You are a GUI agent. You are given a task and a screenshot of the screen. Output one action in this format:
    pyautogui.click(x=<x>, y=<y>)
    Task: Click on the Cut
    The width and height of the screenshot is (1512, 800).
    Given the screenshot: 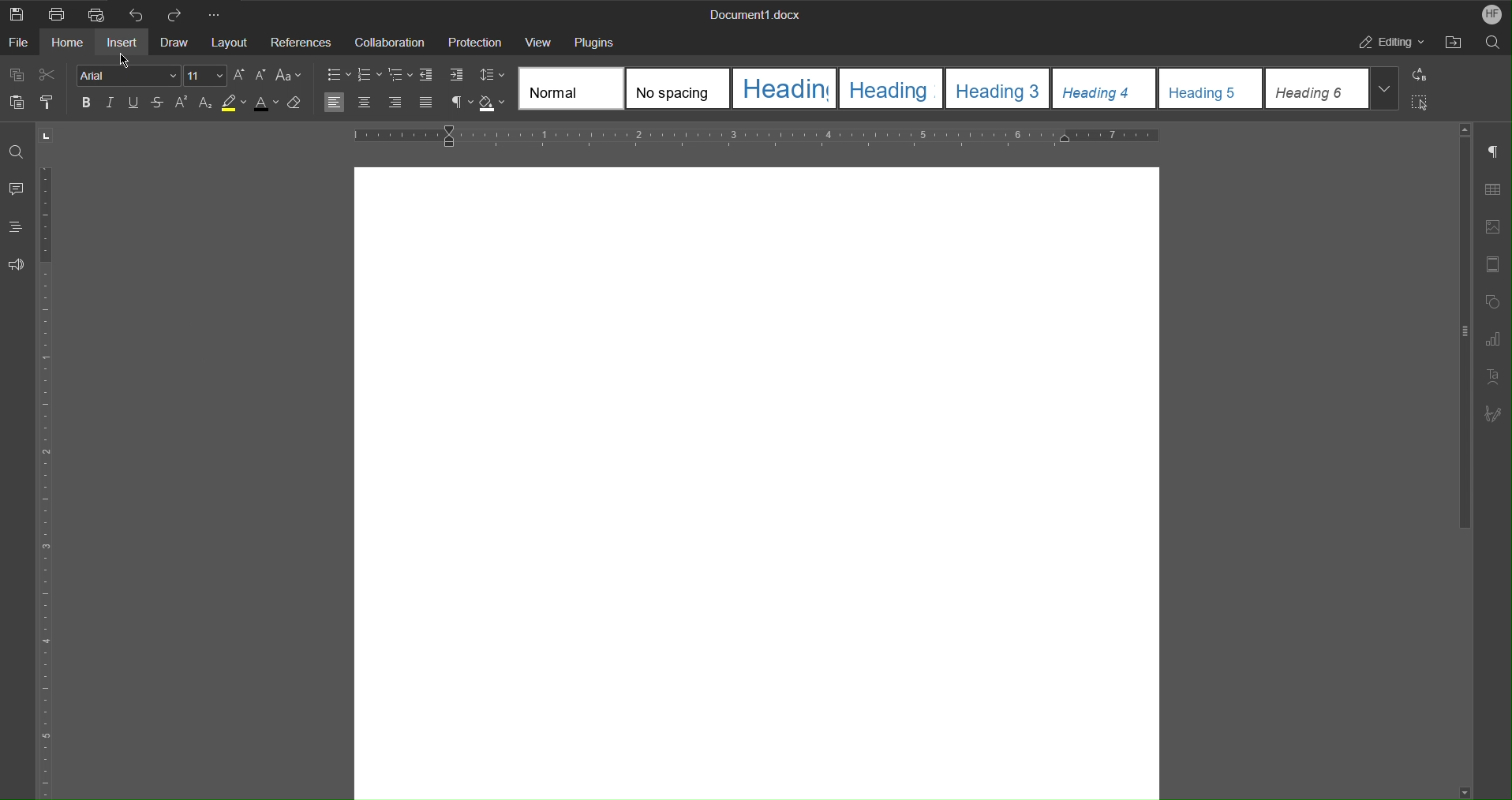 What is the action you would take?
    pyautogui.click(x=48, y=75)
    